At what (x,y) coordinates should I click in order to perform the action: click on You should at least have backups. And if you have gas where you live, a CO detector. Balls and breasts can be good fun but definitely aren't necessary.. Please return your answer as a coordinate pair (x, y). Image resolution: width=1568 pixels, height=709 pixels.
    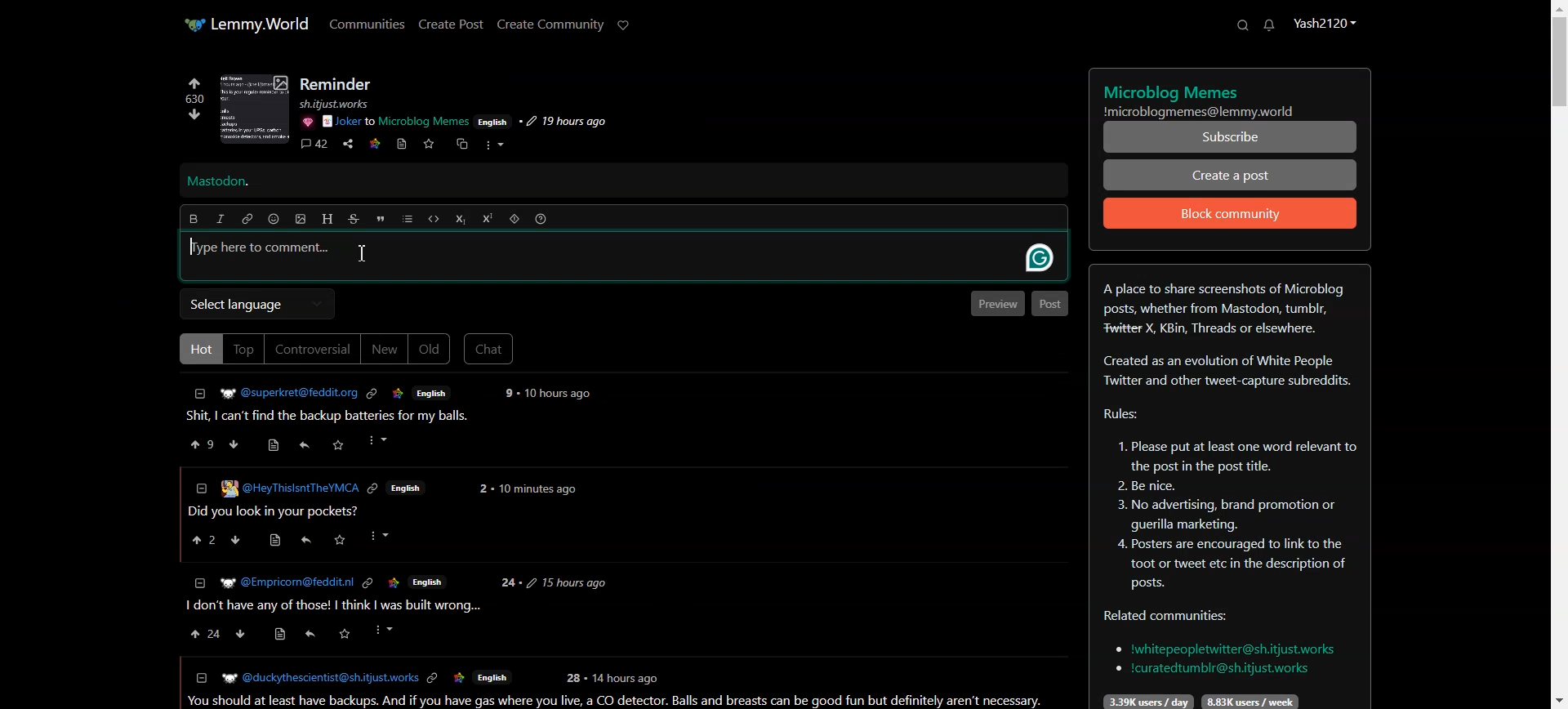
    Looking at the image, I should click on (619, 701).